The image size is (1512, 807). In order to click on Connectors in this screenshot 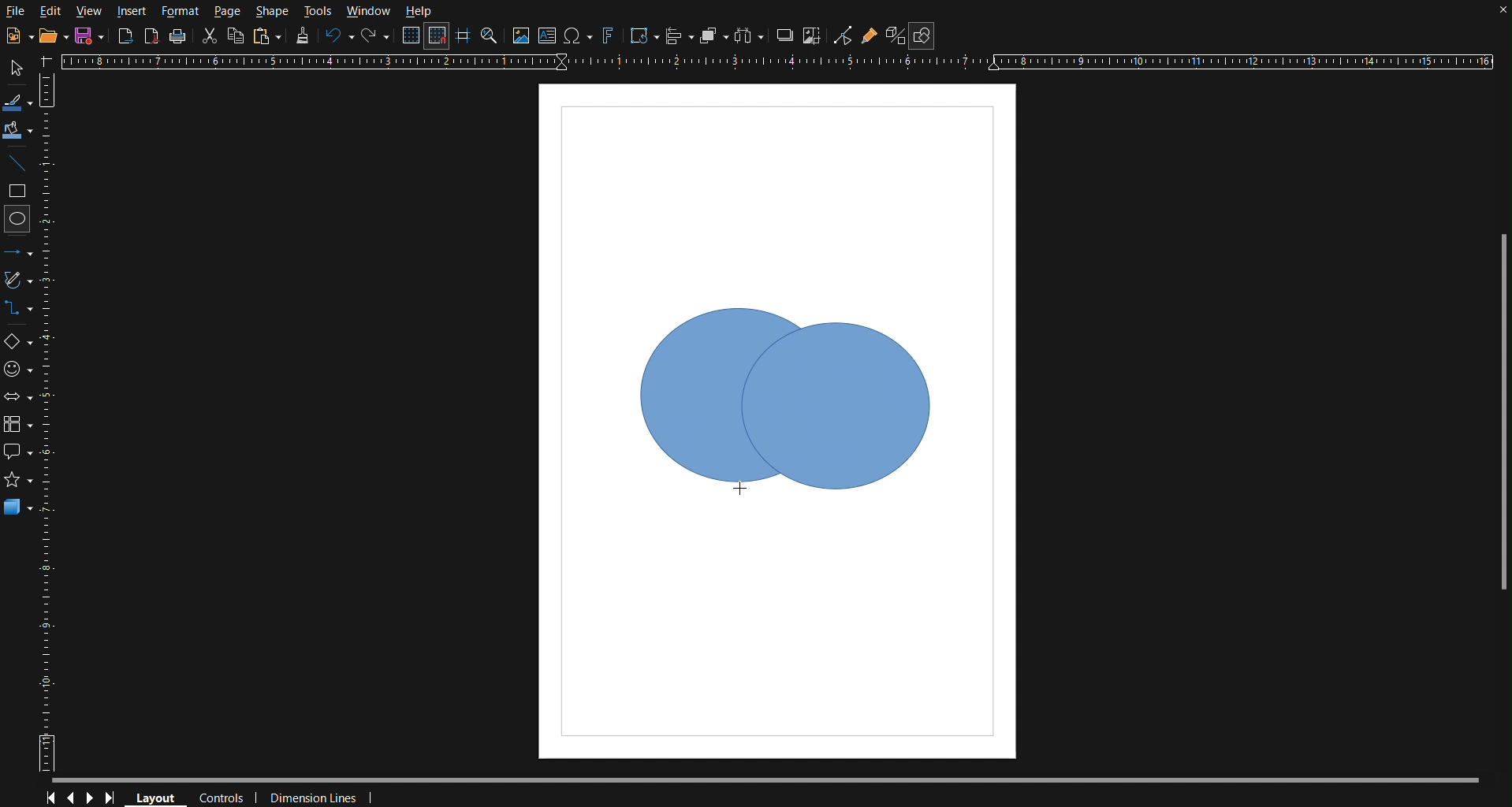, I will do `click(20, 308)`.